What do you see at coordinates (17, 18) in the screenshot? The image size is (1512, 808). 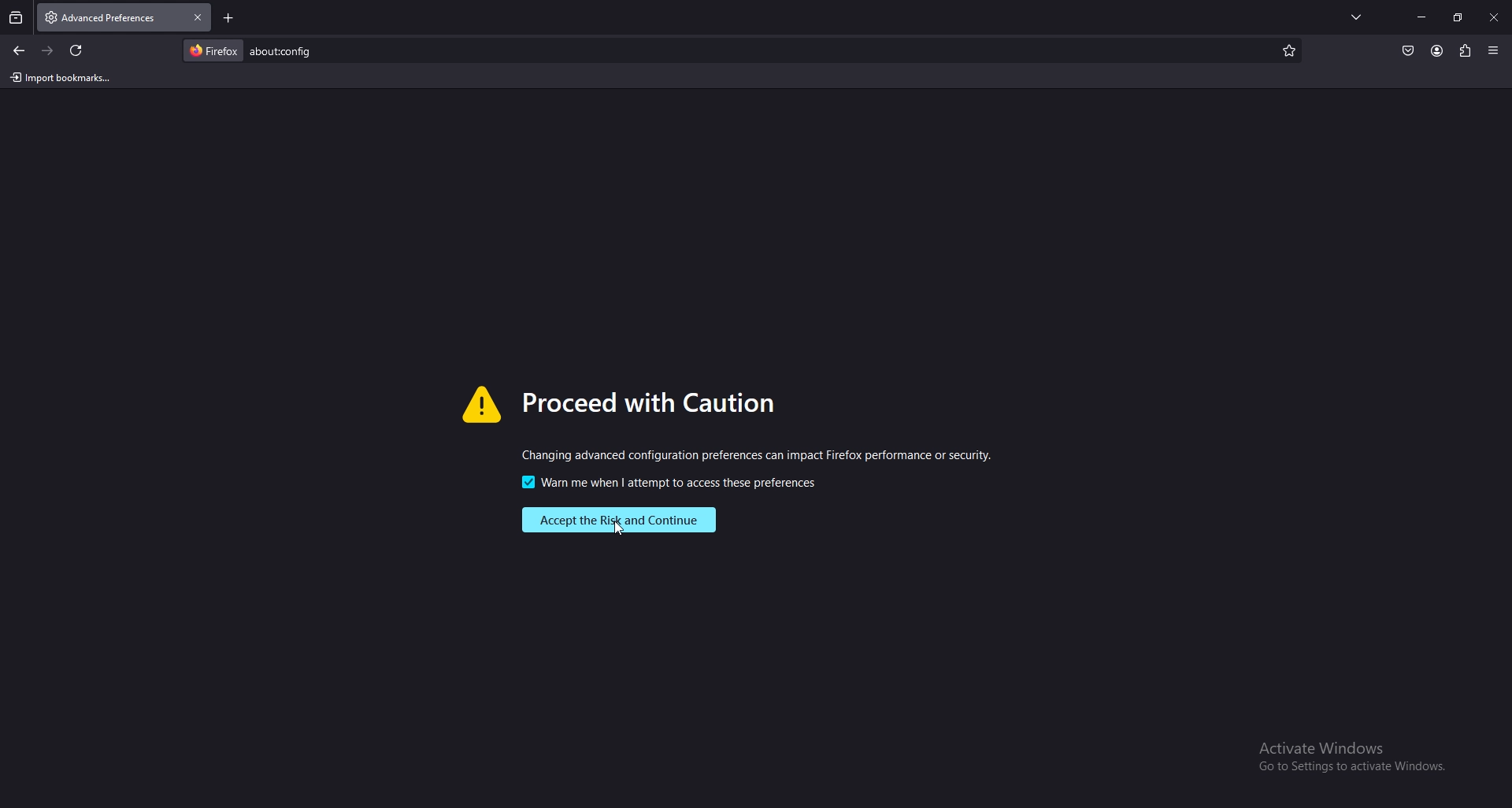 I see `recent browsing` at bounding box center [17, 18].